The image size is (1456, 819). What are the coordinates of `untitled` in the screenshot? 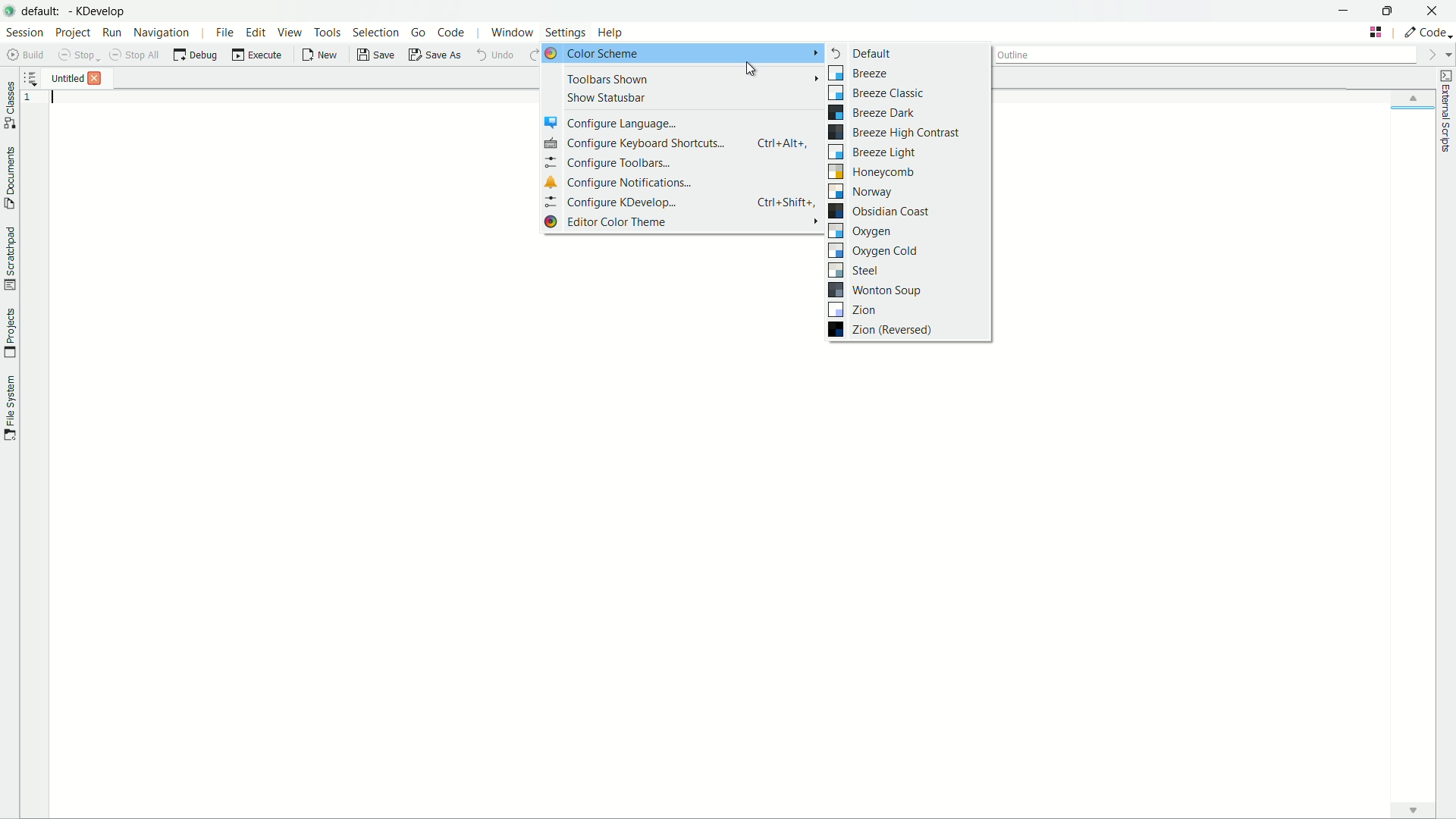 It's located at (69, 78).